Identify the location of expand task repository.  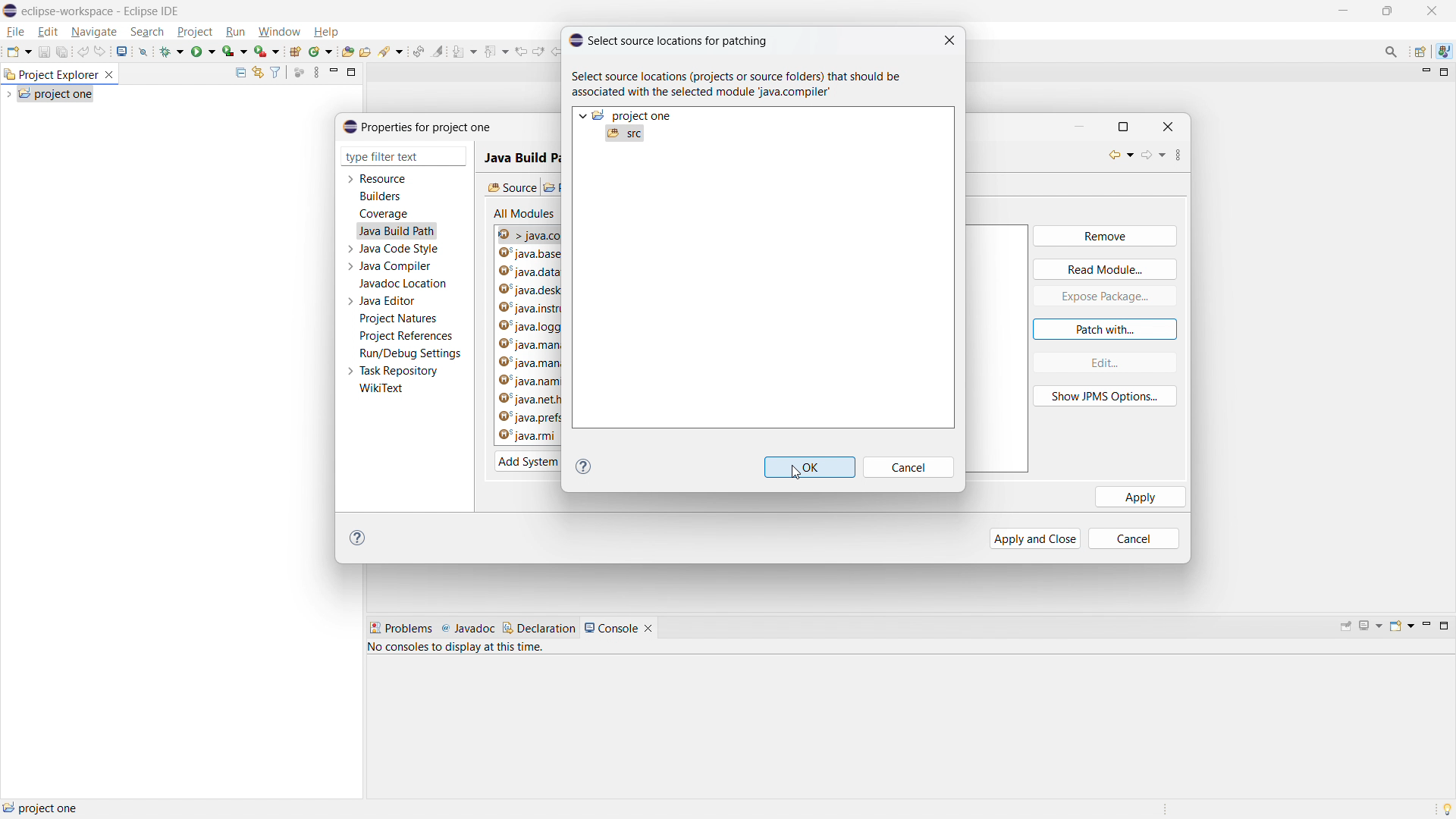
(349, 372).